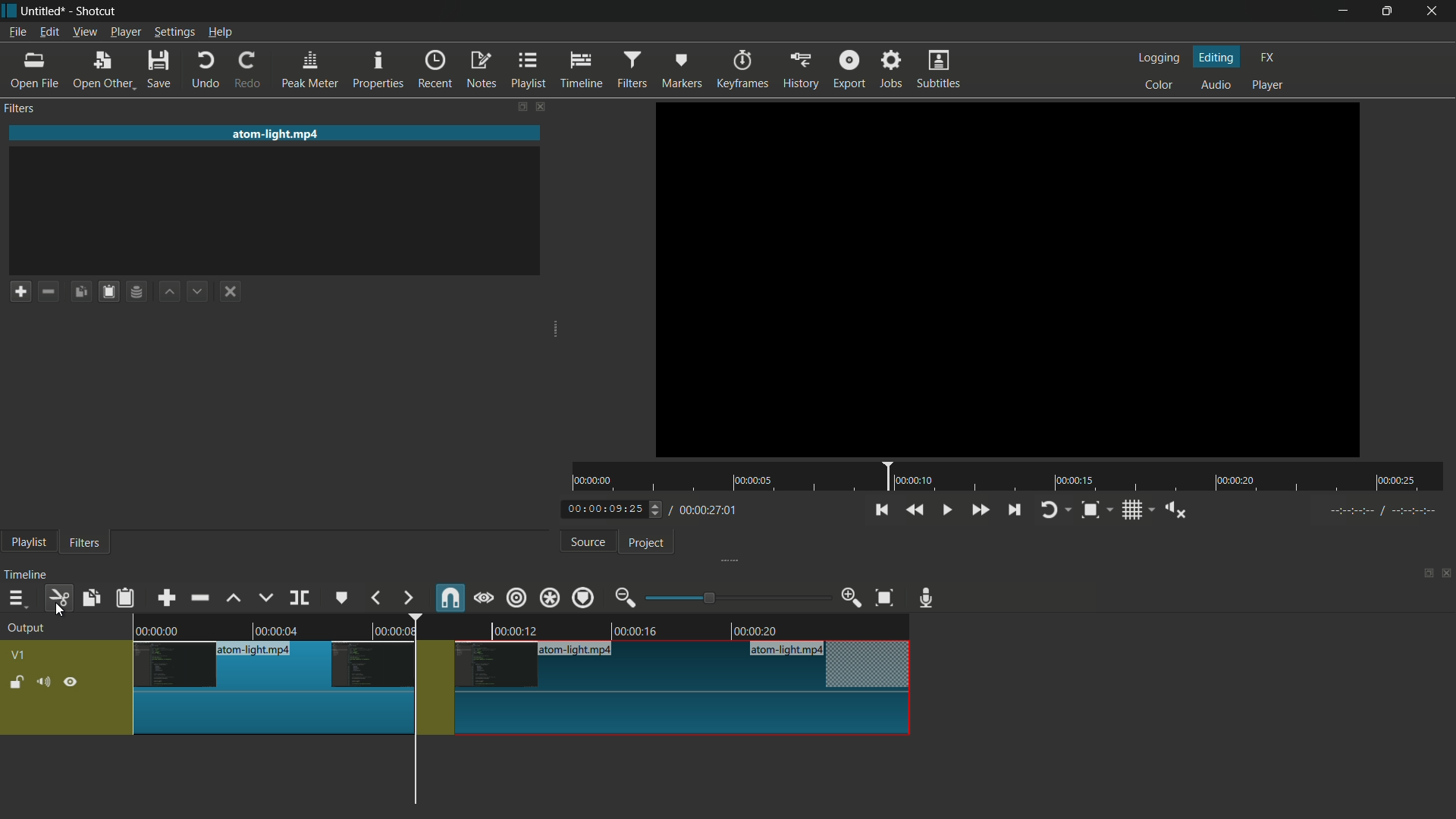  What do you see at coordinates (140, 293) in the screenshot?
I see `save filter set` at bounding box center [140, 293].